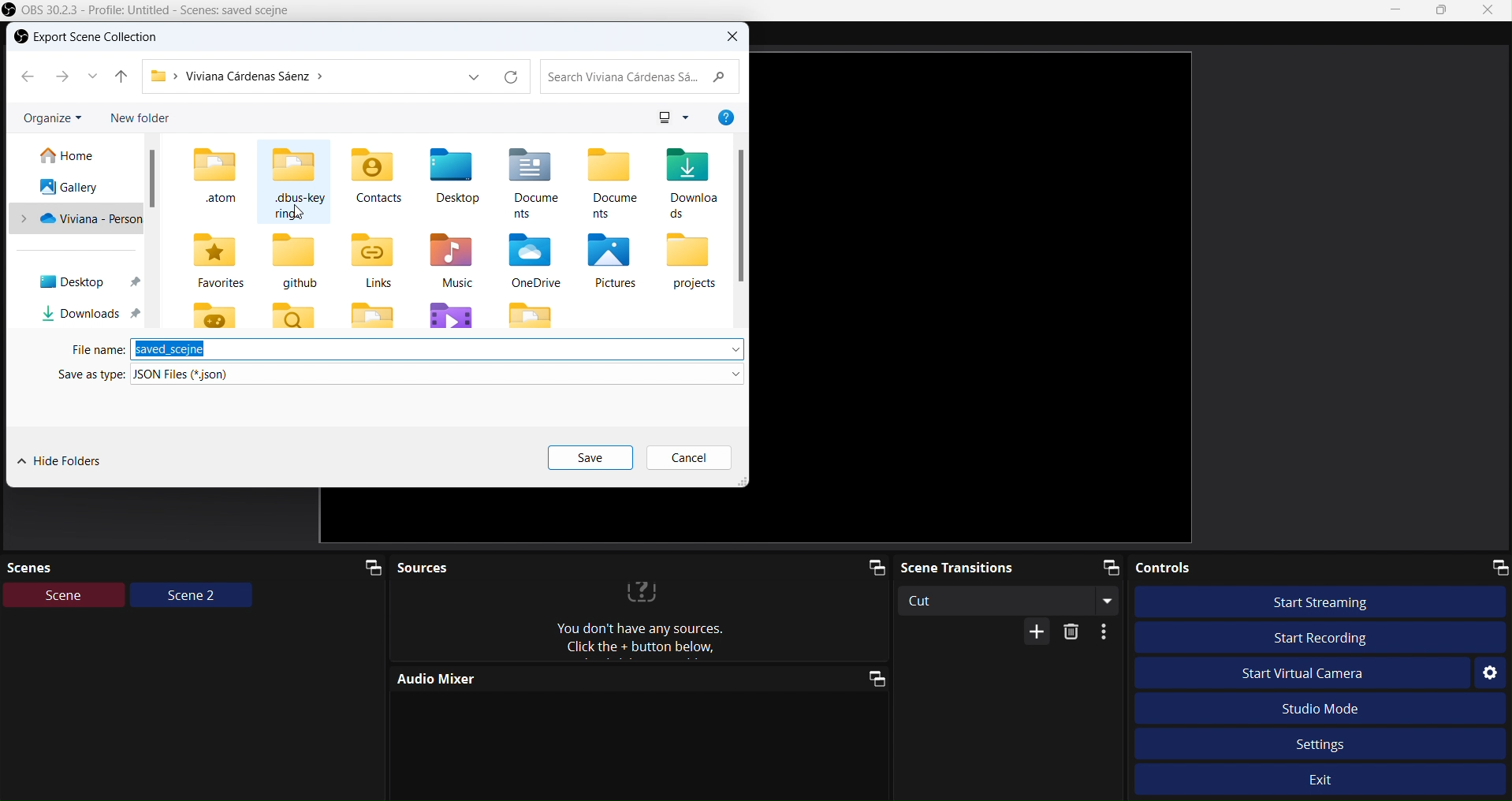  I want to click on Music, so click(449, 261).